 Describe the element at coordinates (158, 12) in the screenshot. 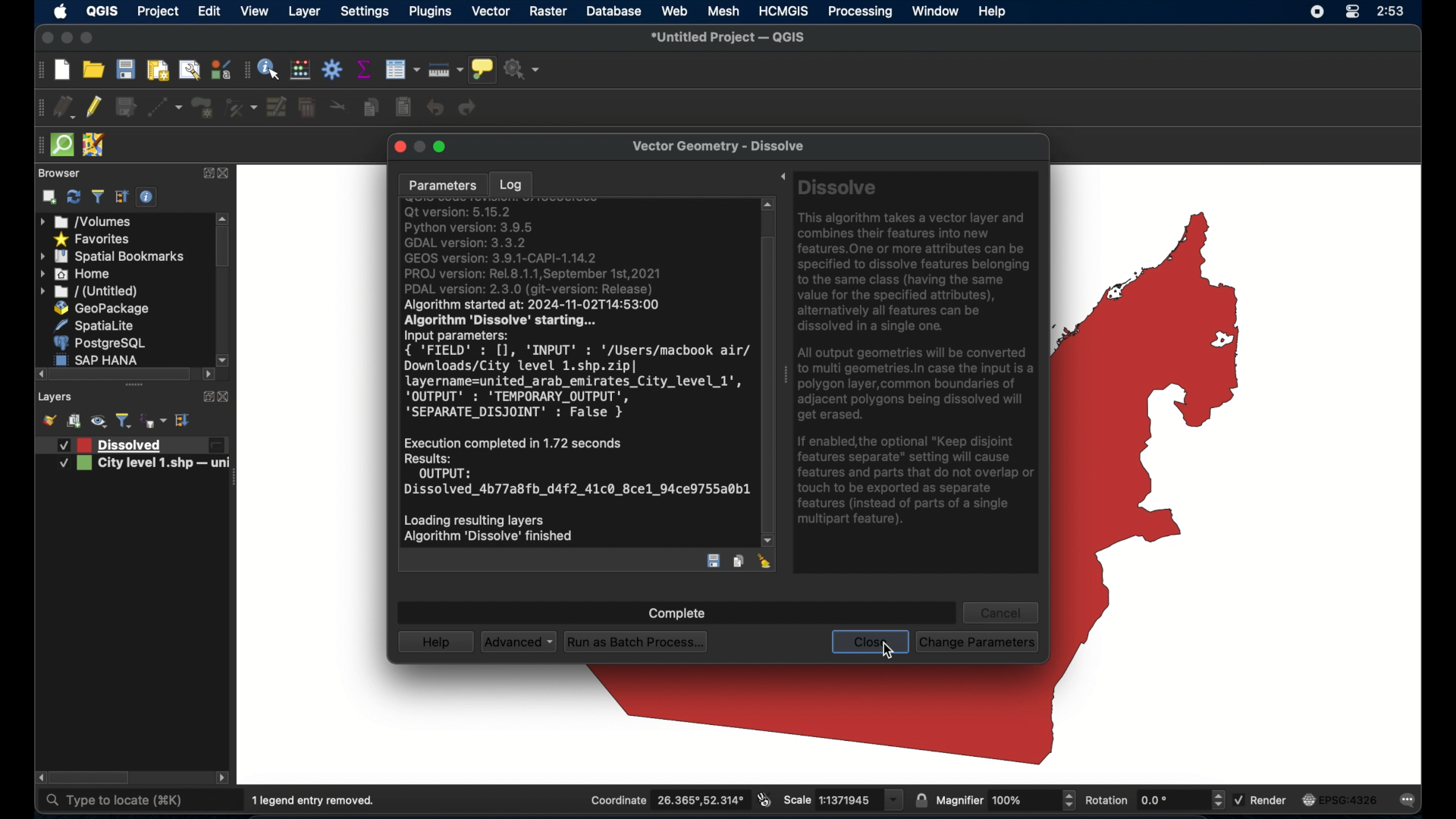

I see `project` at that location.